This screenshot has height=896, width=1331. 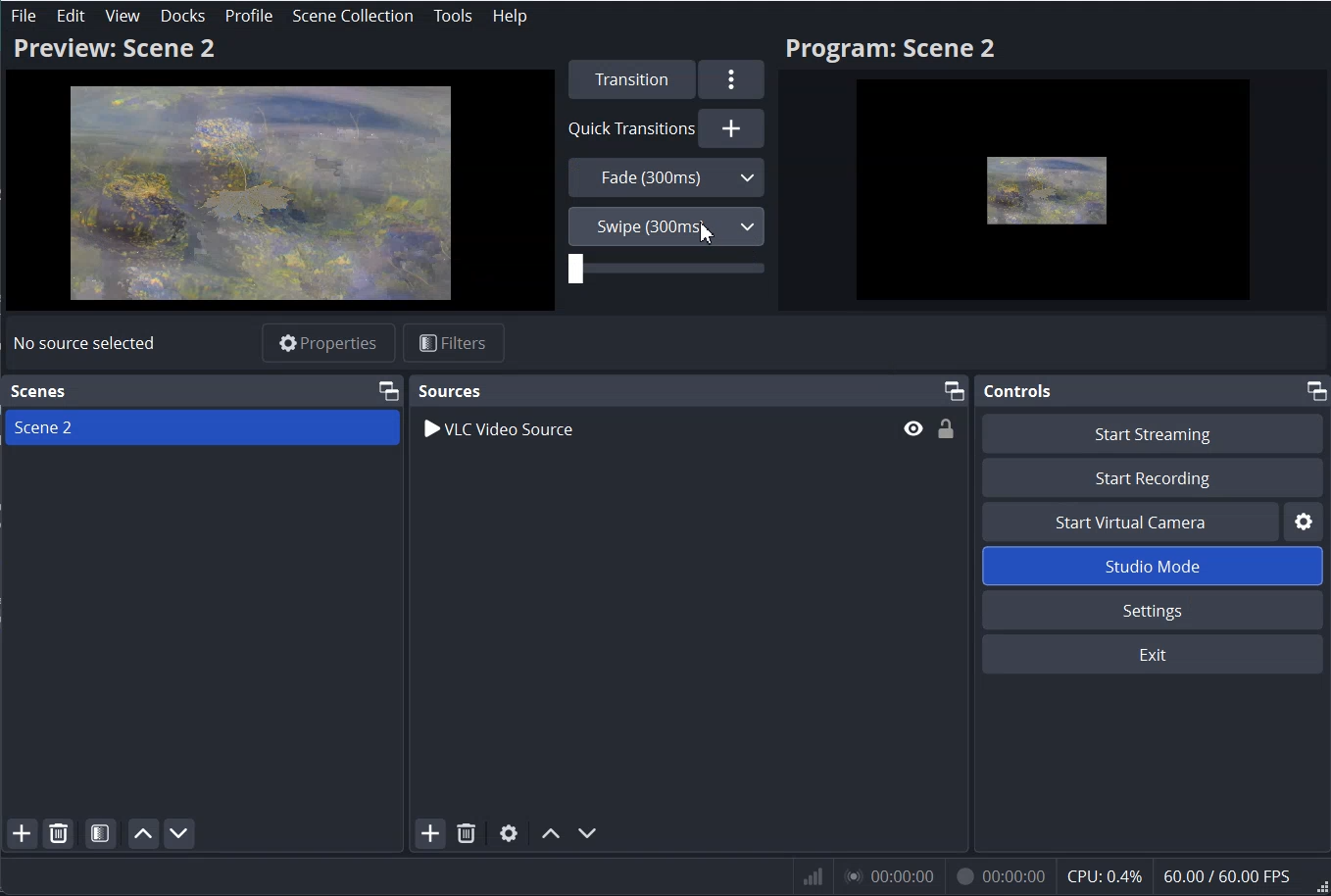 I want to click on Profile, so click(x=249, y=17).